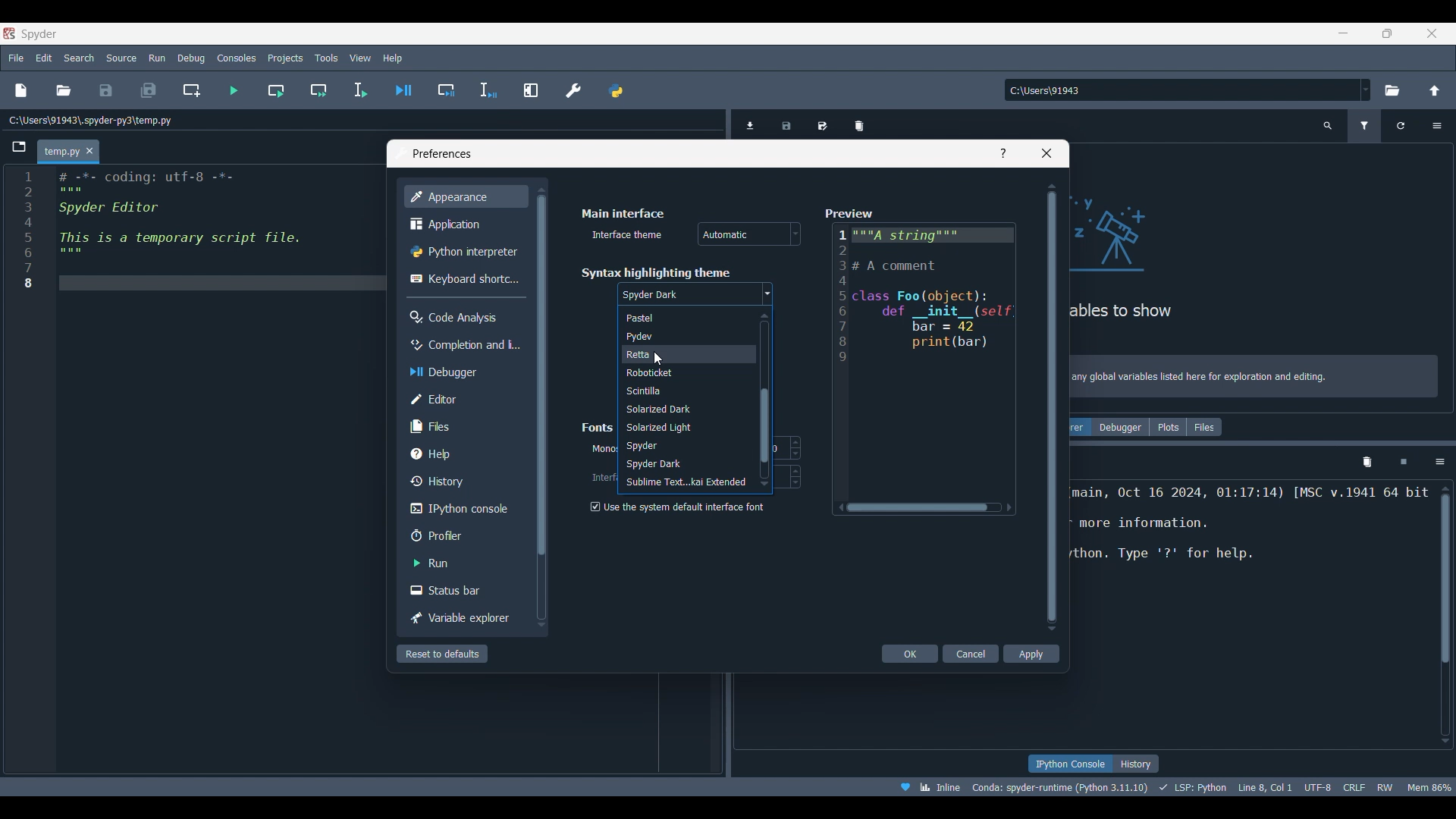 The height and width of the screenshot is (819, 1456). I want to click on spyder dark, so click(695, 295).